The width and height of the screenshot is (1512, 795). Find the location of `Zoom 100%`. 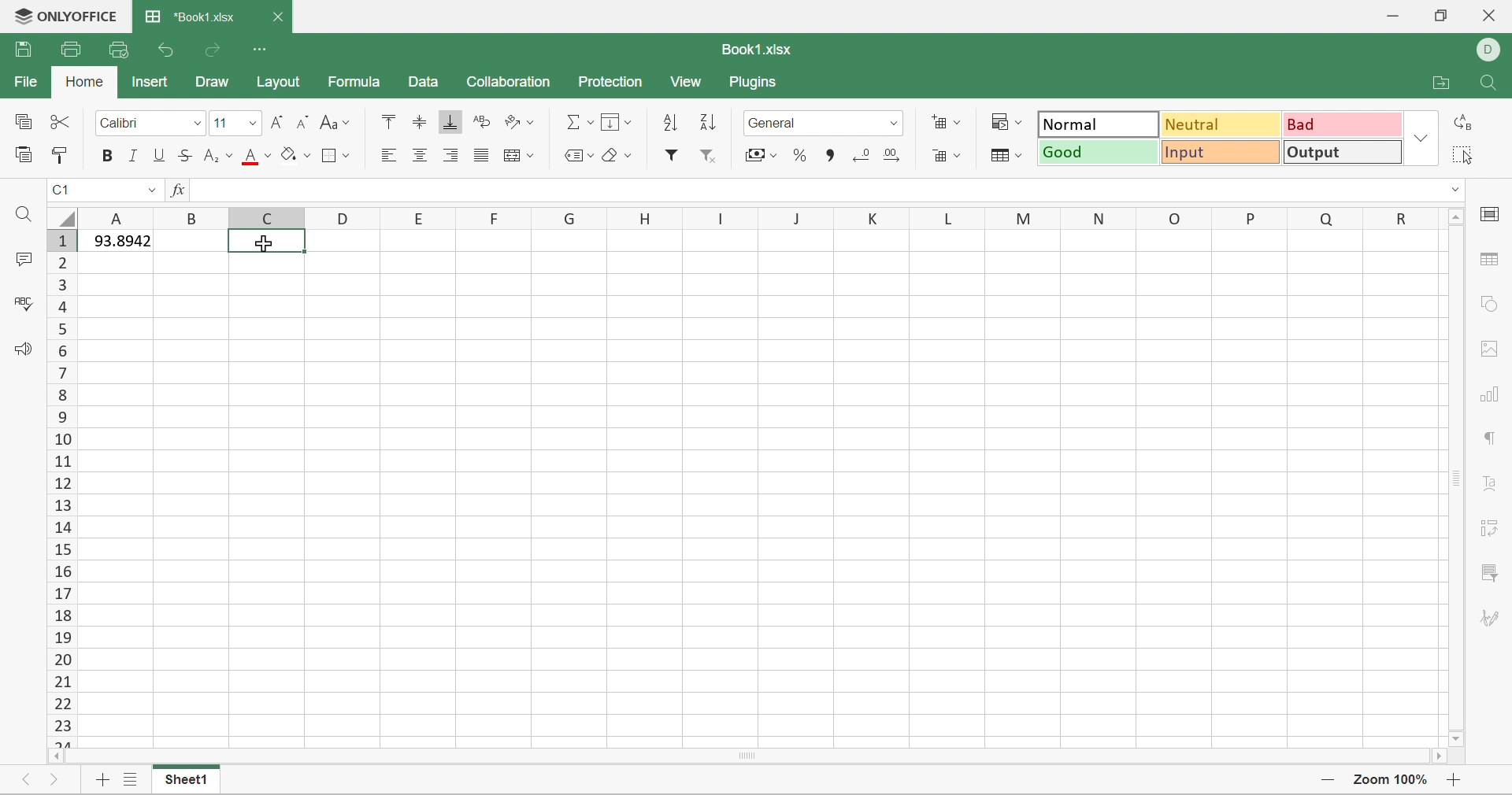

Zoom 100% is located at coordinates (1388, 782).